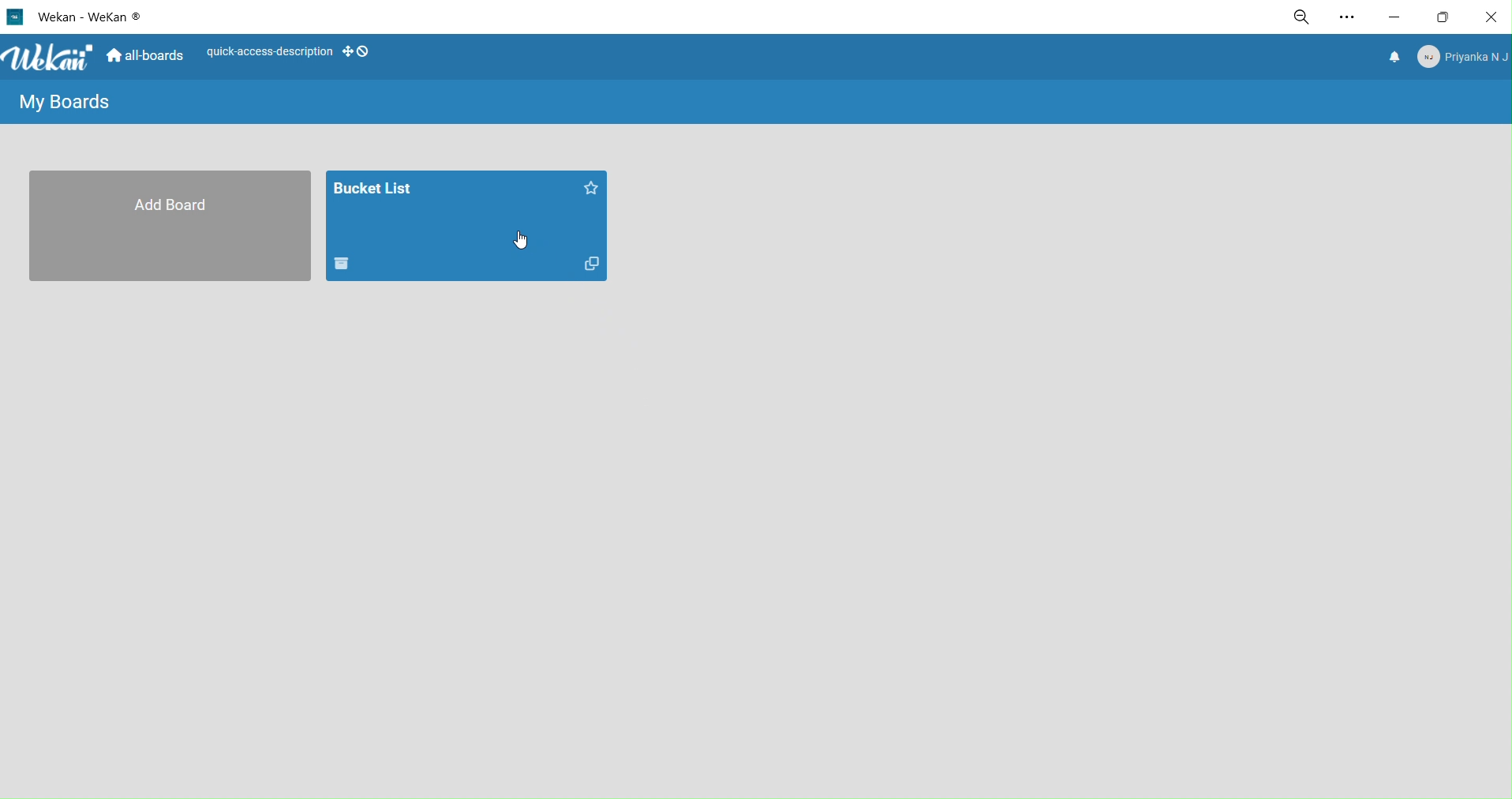 This screenshot has width=1512, height=799. Describe the element at coordinates (593, 189) in the screenshot. I see `star` at that location.